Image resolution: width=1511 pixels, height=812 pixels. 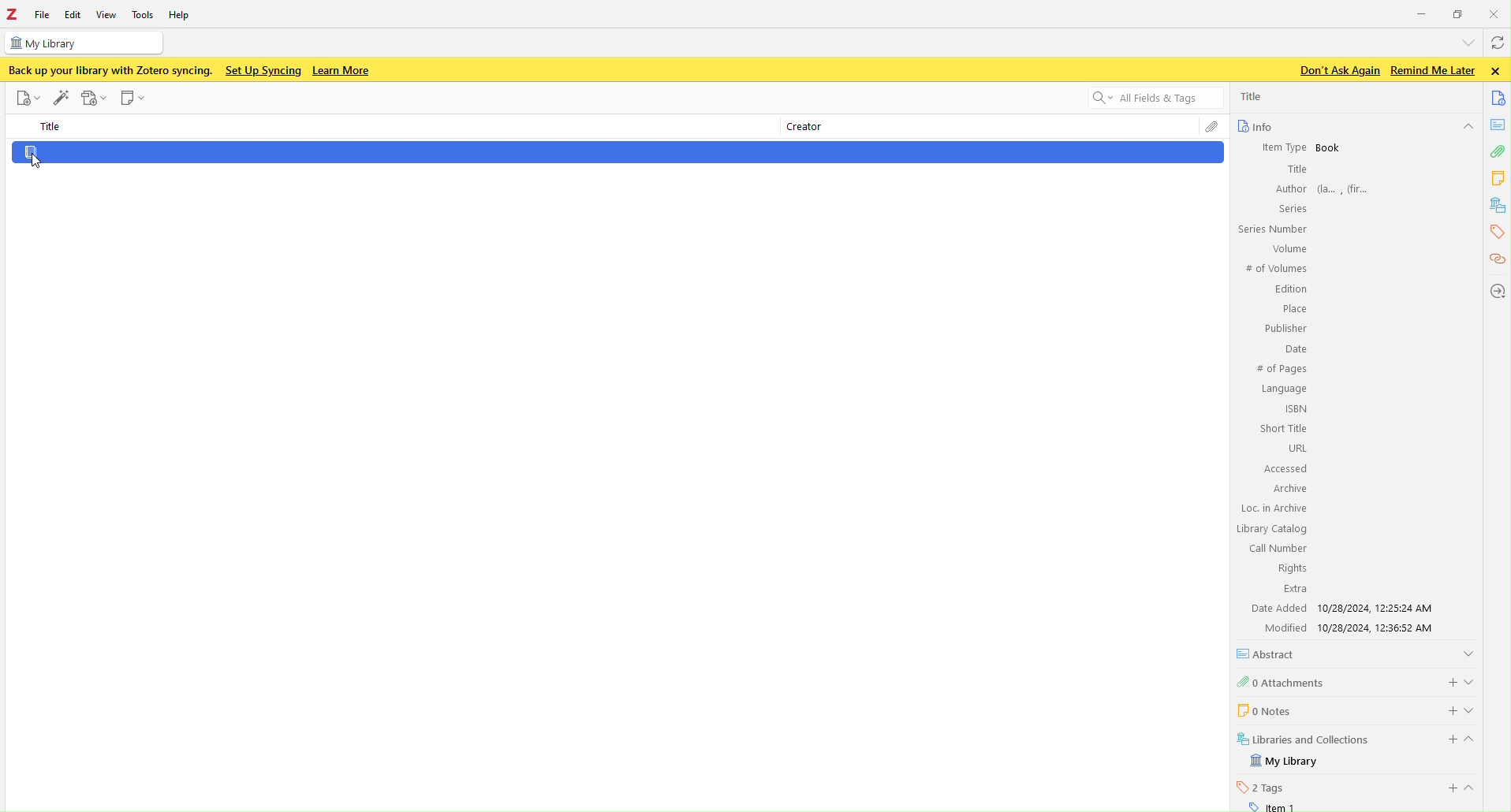 What do you see at coordinates (181, 16) in the screenshot?
I see `help` at bounding box center [181, 16].